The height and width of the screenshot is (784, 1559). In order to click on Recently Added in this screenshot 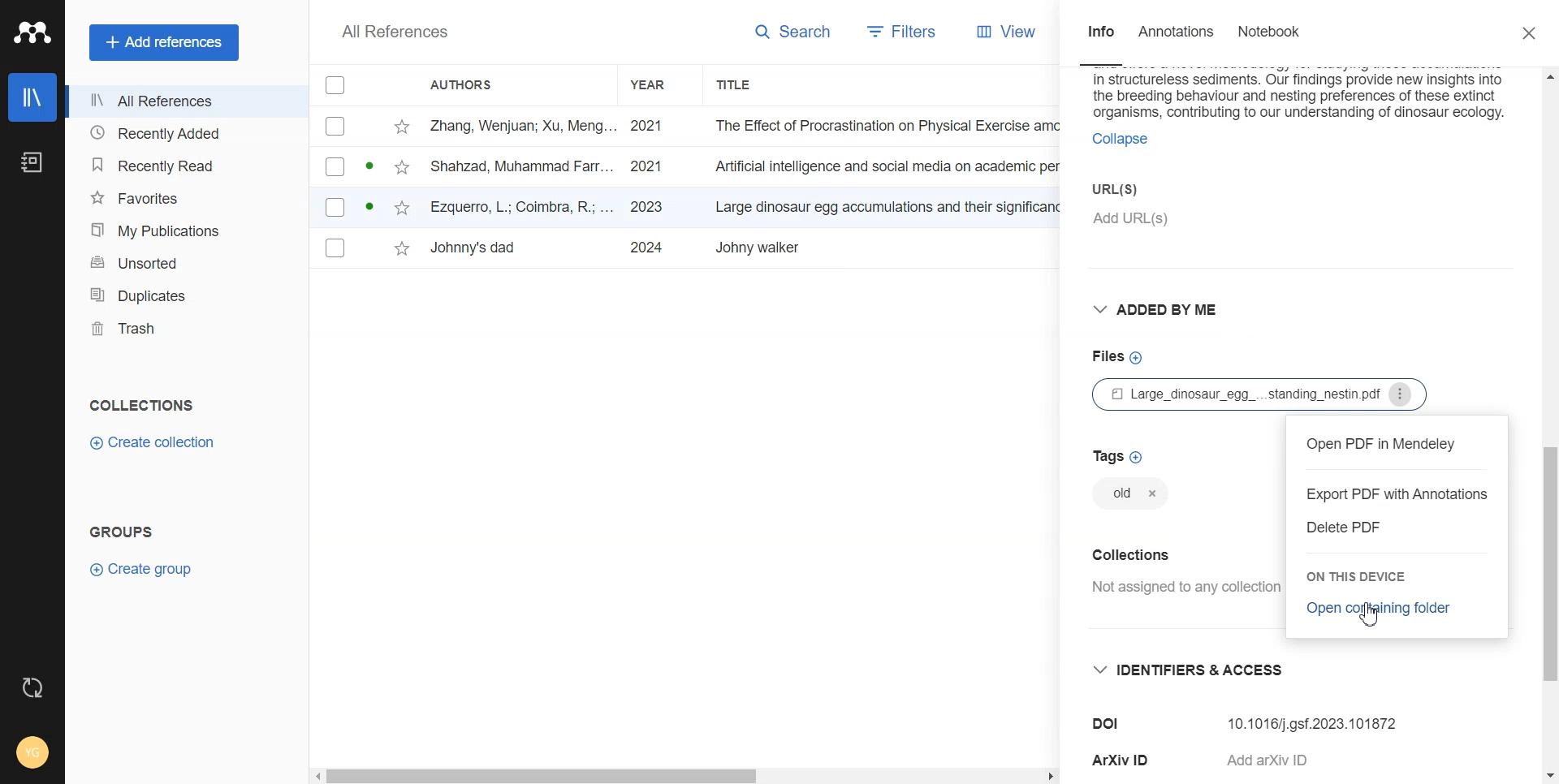, I will do `click(179, 132)`.